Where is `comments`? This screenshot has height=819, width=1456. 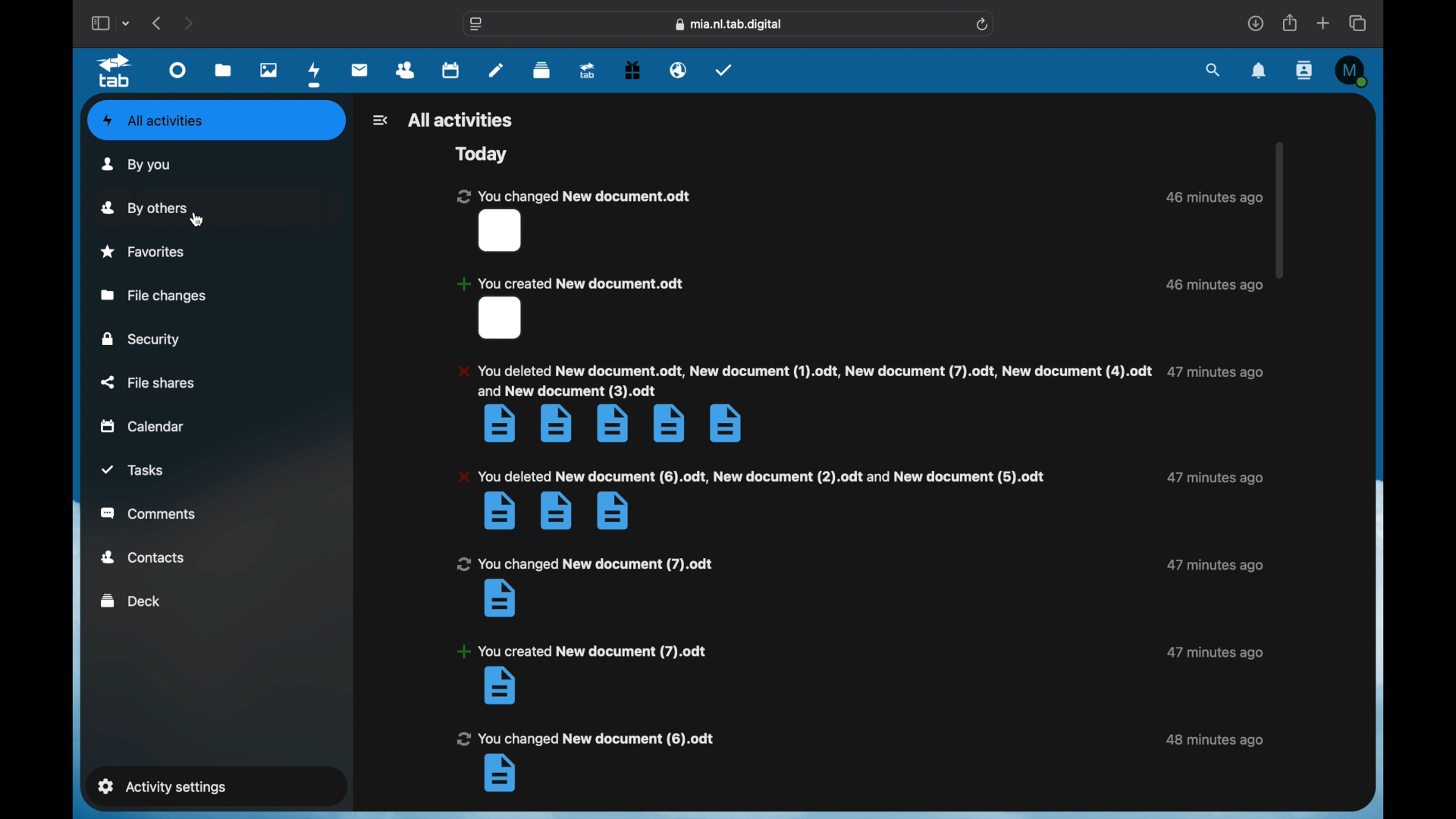
comments is located at coordinates (149, 513).